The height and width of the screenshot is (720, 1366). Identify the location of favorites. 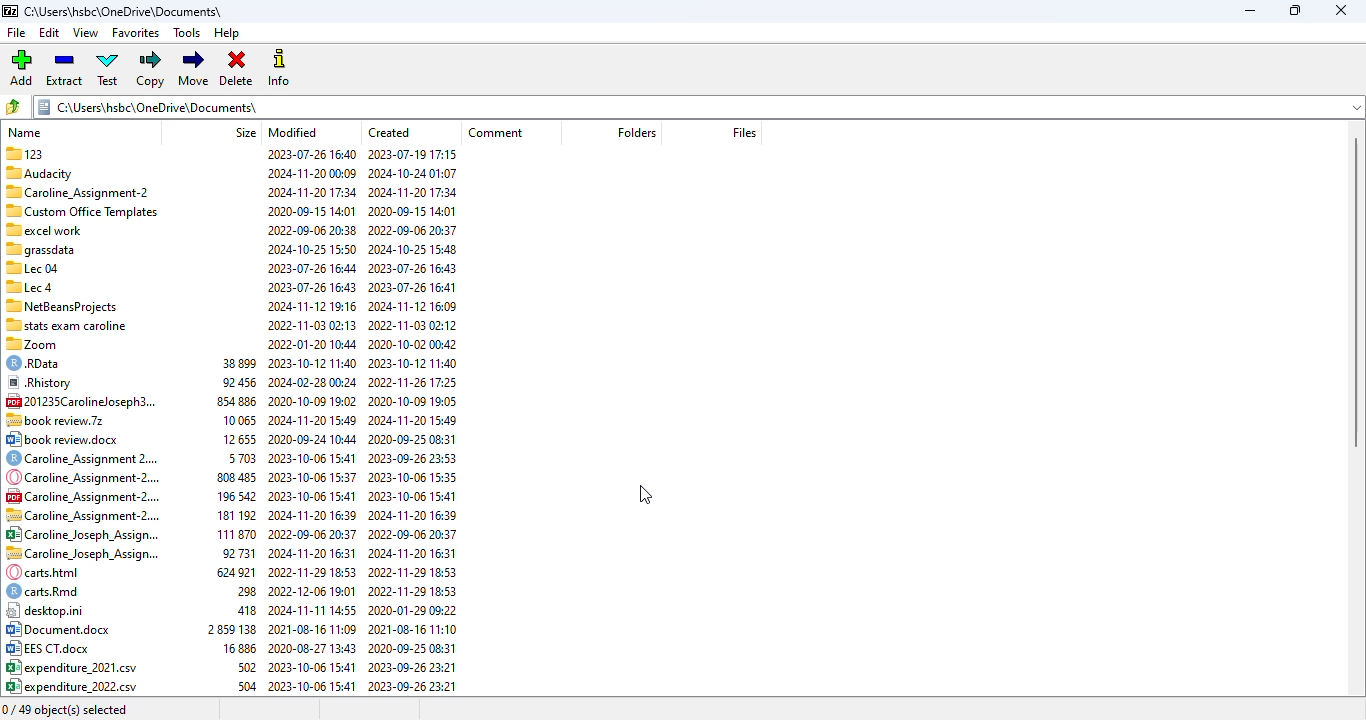
(136, 33).